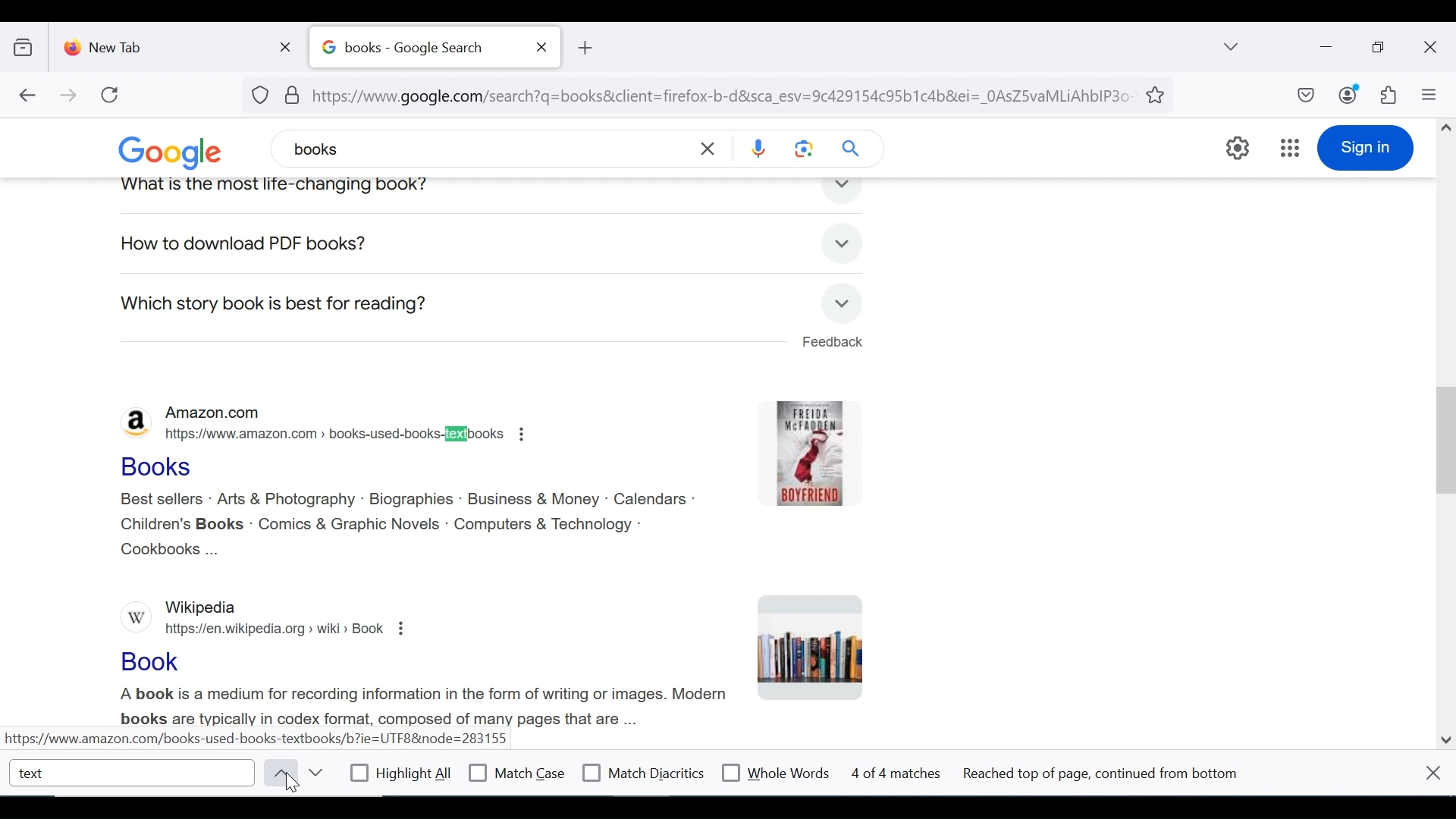  Describe the element at coordinates (693, 93) in the screenshot. I see `url` at that location.